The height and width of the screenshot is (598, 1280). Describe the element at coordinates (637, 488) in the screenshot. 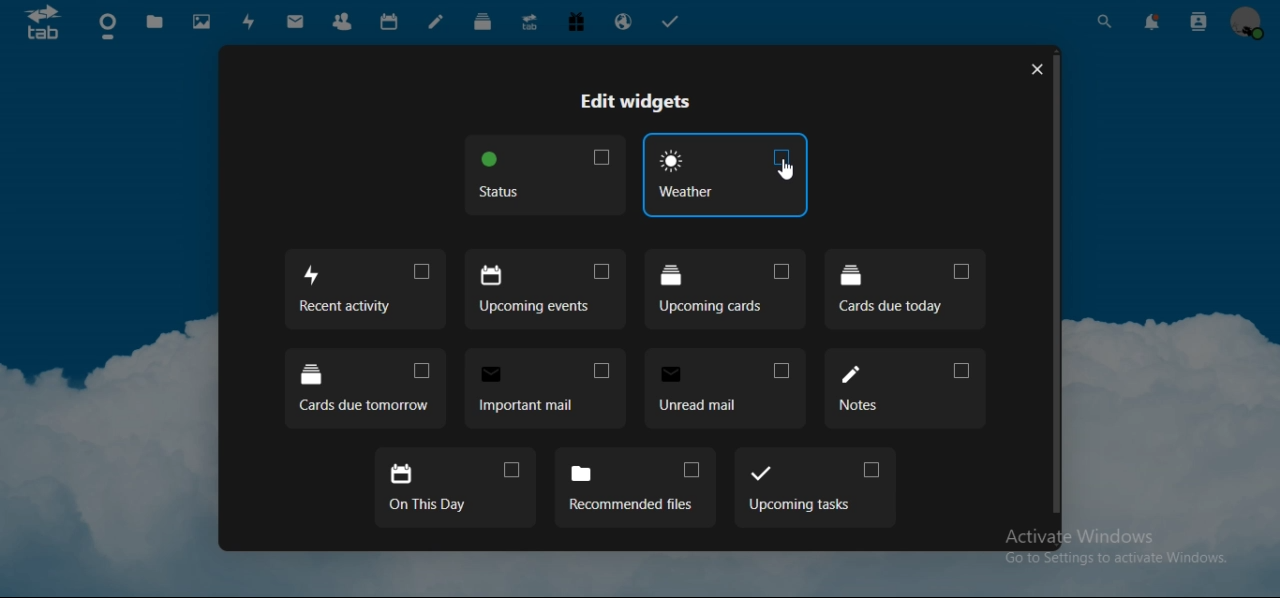

I see `recommended files` at that location.